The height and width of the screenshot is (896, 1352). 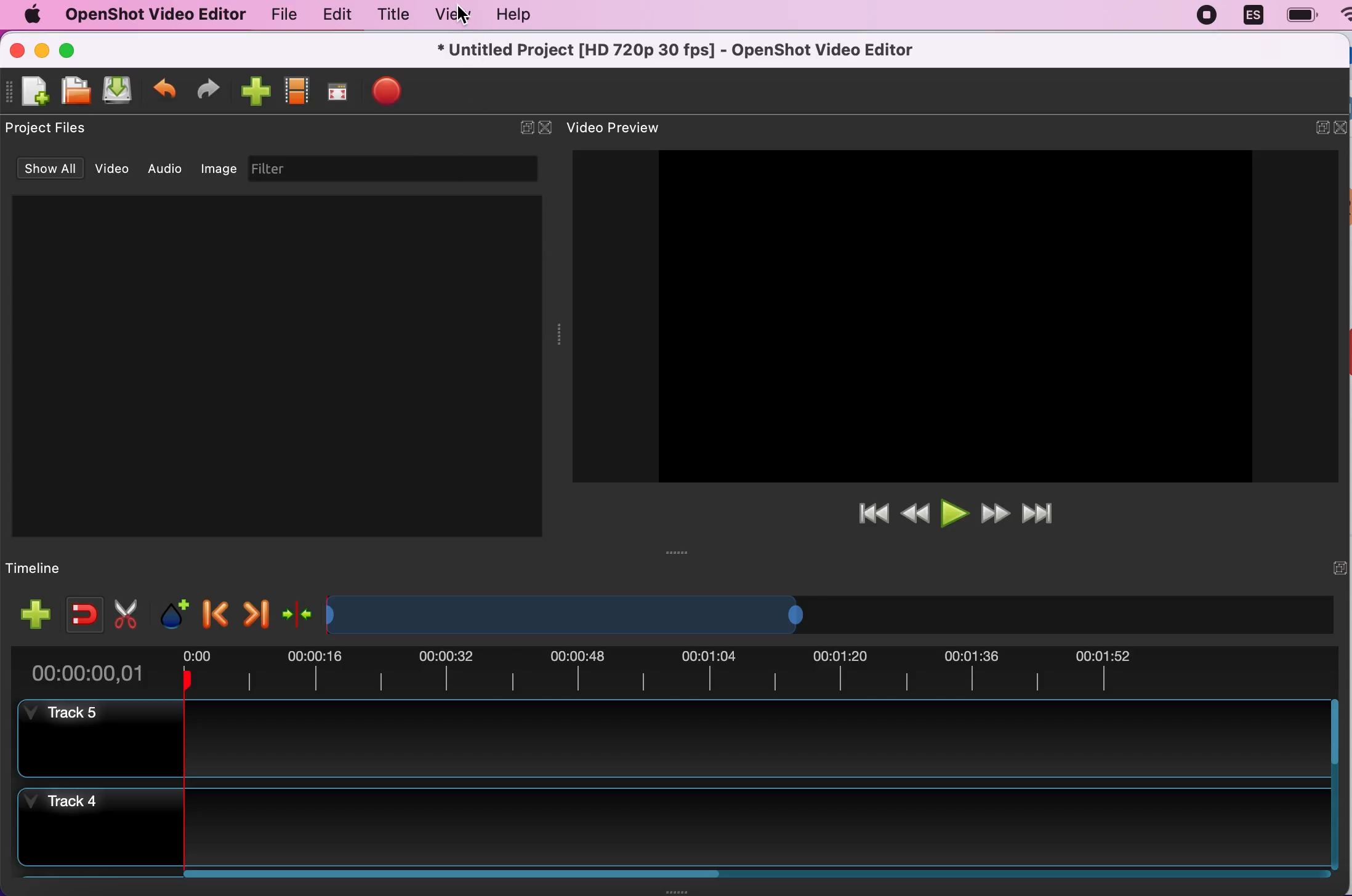 What do you see at coordinates (680, 49) in the screenshot?
I see `* Untitled Project [HD 720p 30 fps] - OpenShot Video Editor` at bounding box center [680, 49].